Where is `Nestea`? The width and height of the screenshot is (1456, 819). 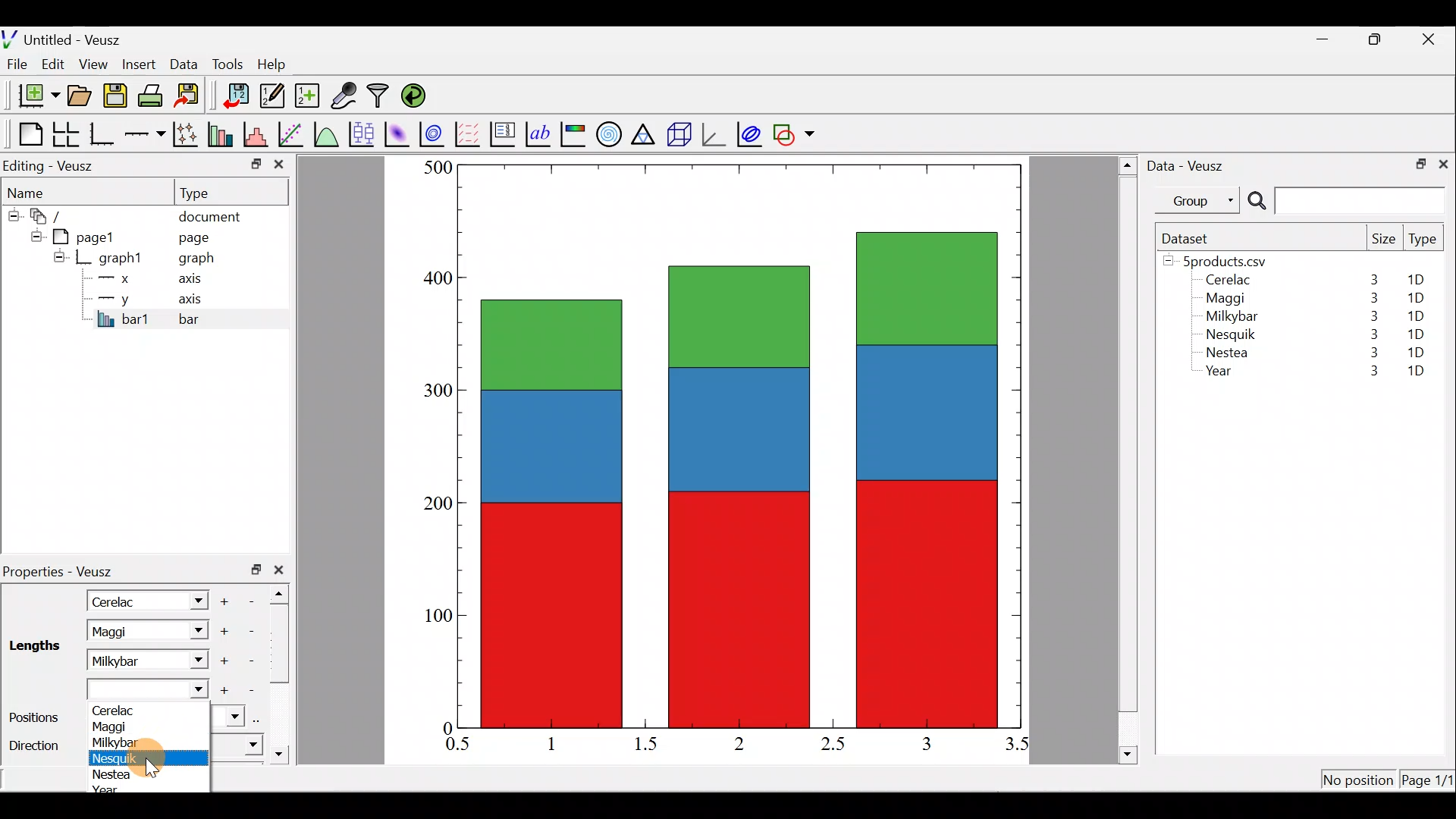
Nestea is located at coordinates (1228, 353).